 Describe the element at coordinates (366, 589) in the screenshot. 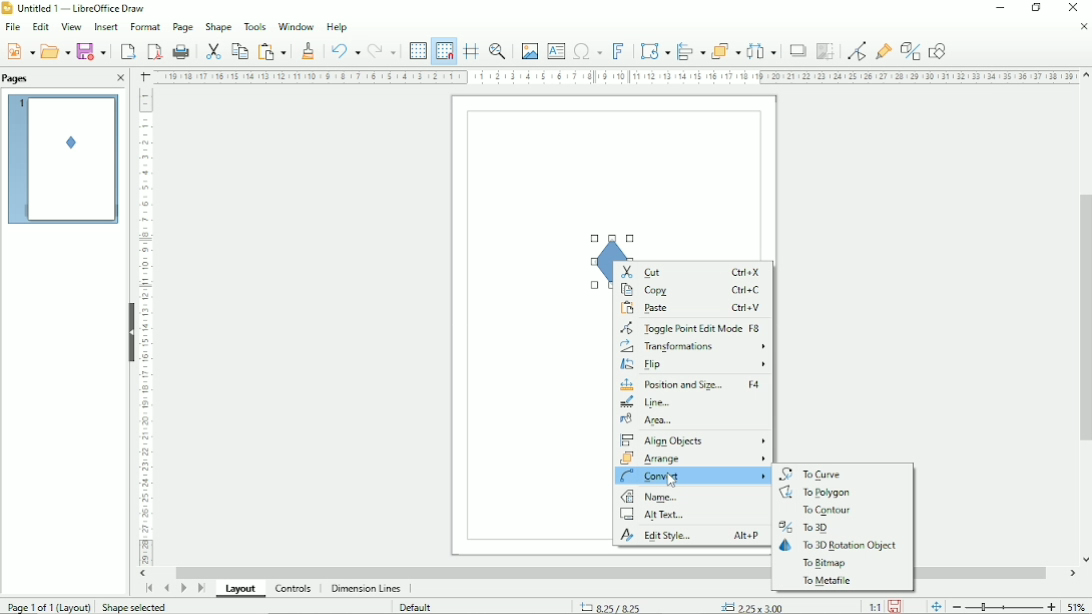

I see `Dimension lines` at that location.